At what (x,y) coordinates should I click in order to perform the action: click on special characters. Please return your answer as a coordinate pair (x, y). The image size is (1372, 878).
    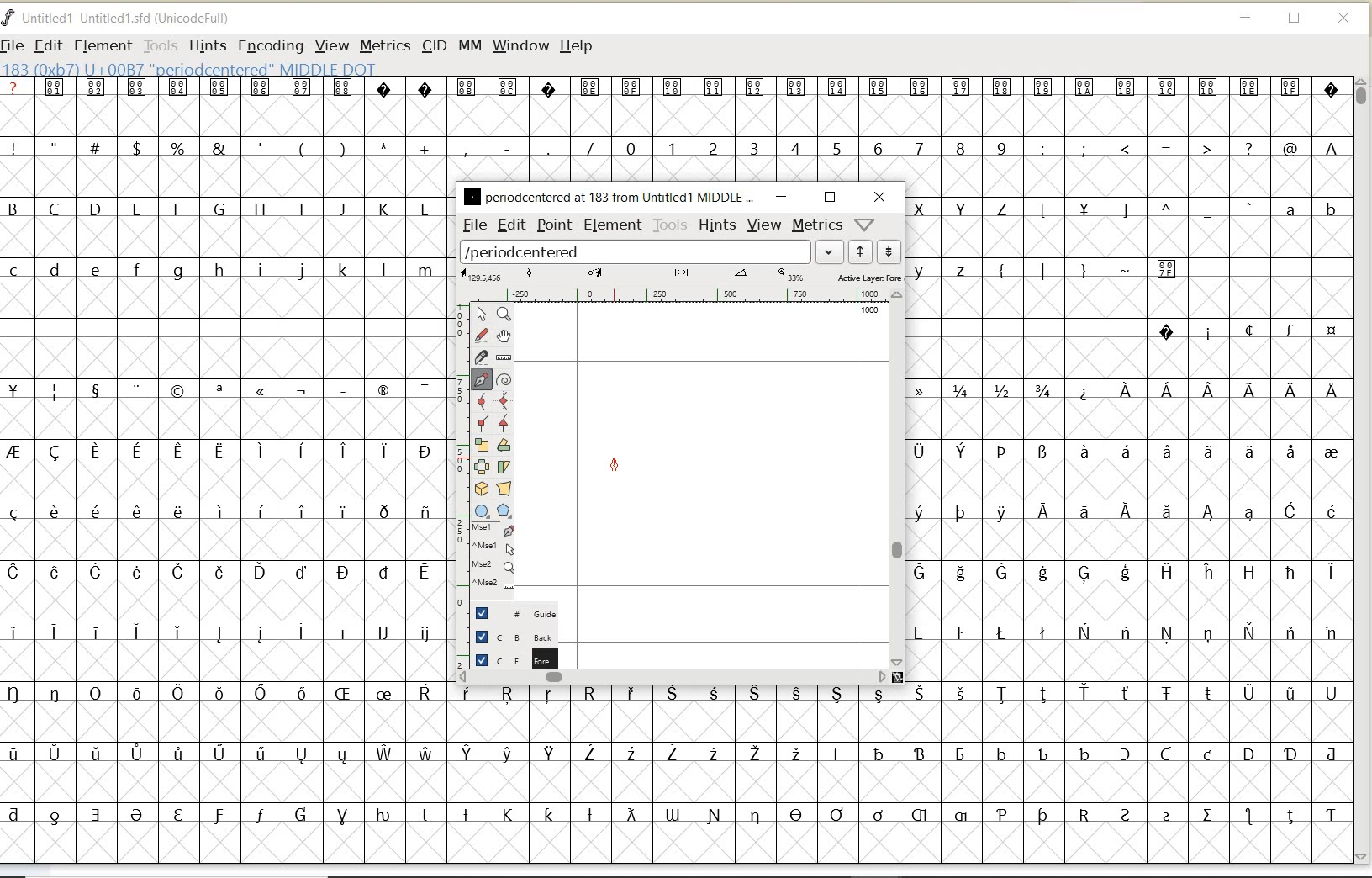
    Looking at the image, I should click on (895, 761).